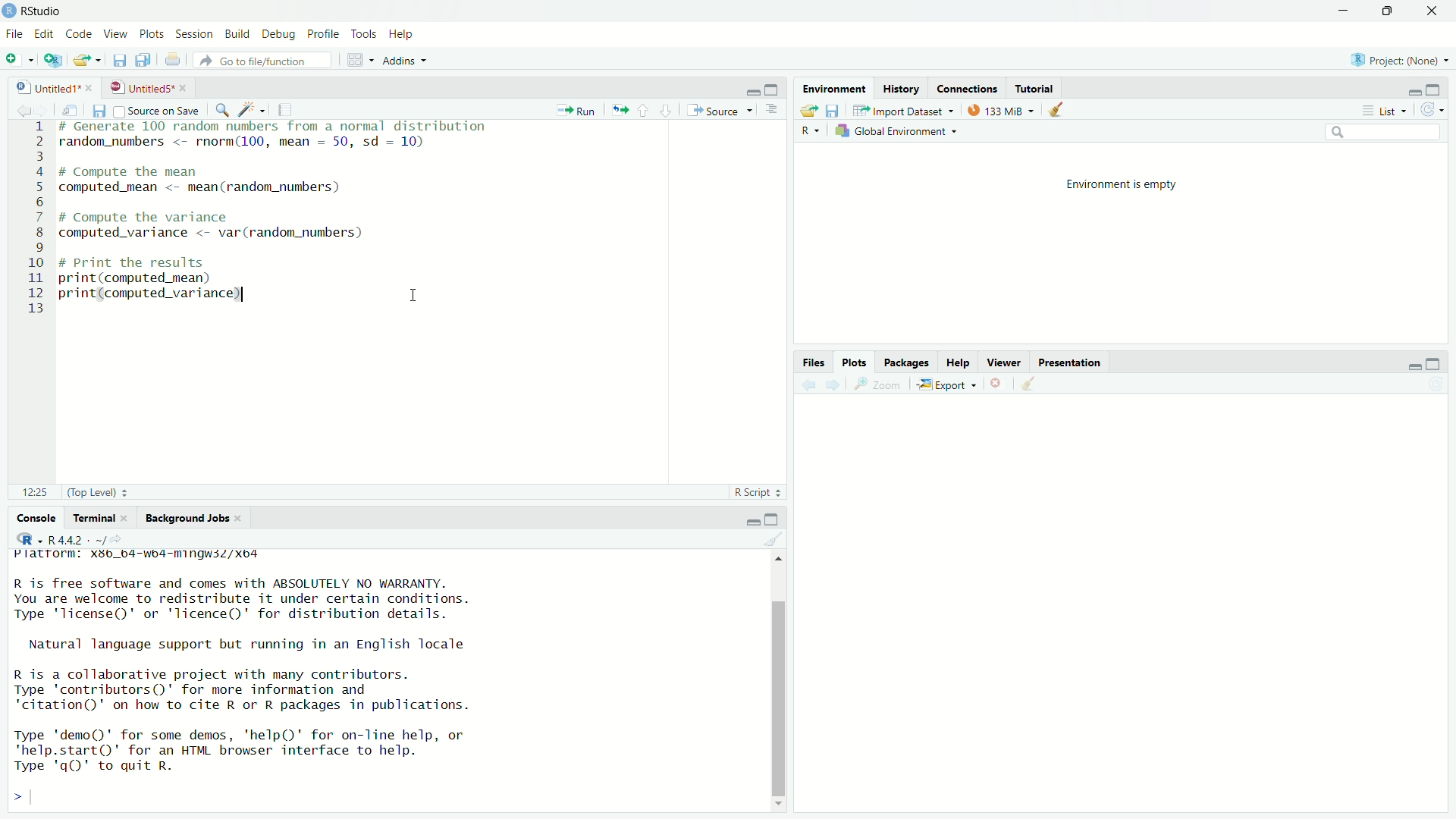 The width and height of the screenshot is (1456, 819). Describe the element at coordinates (143, 60) in the screenshot. I see `save all open document` at that location.